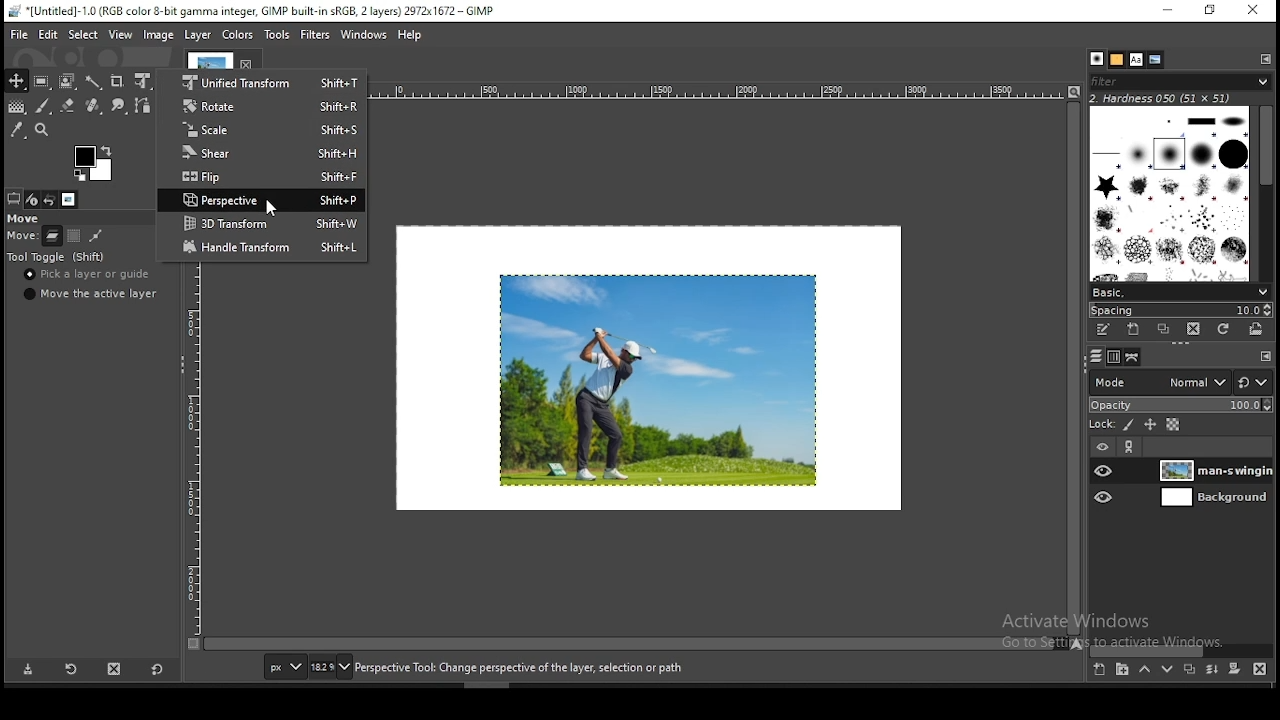 The image size is (1280, 720). Describe the element at coordinates (265, 131) in the screenshot. I see `scale` at that location.